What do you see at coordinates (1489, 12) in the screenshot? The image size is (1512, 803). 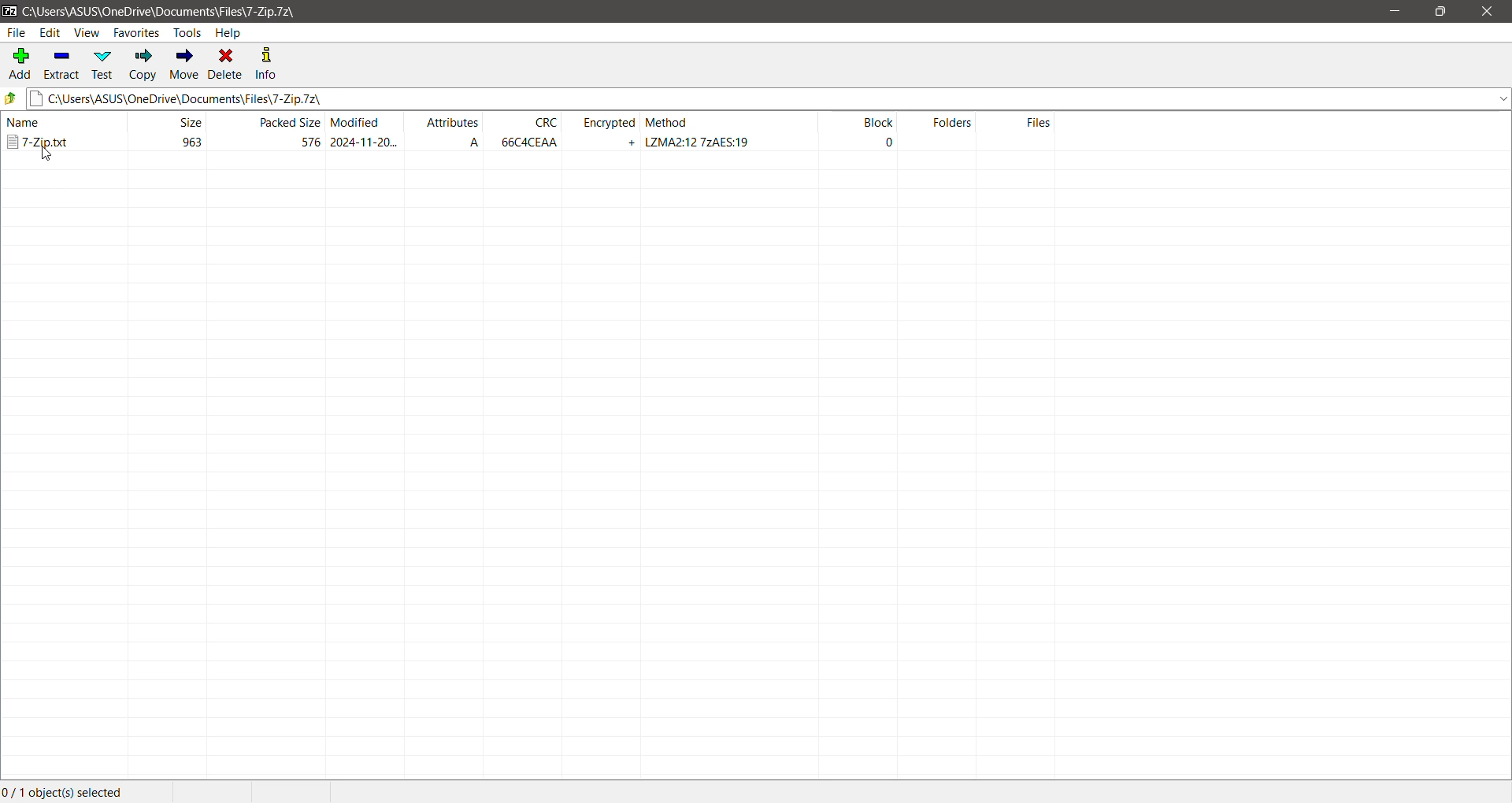 I see `Close` at bounding box center [1489, 12].